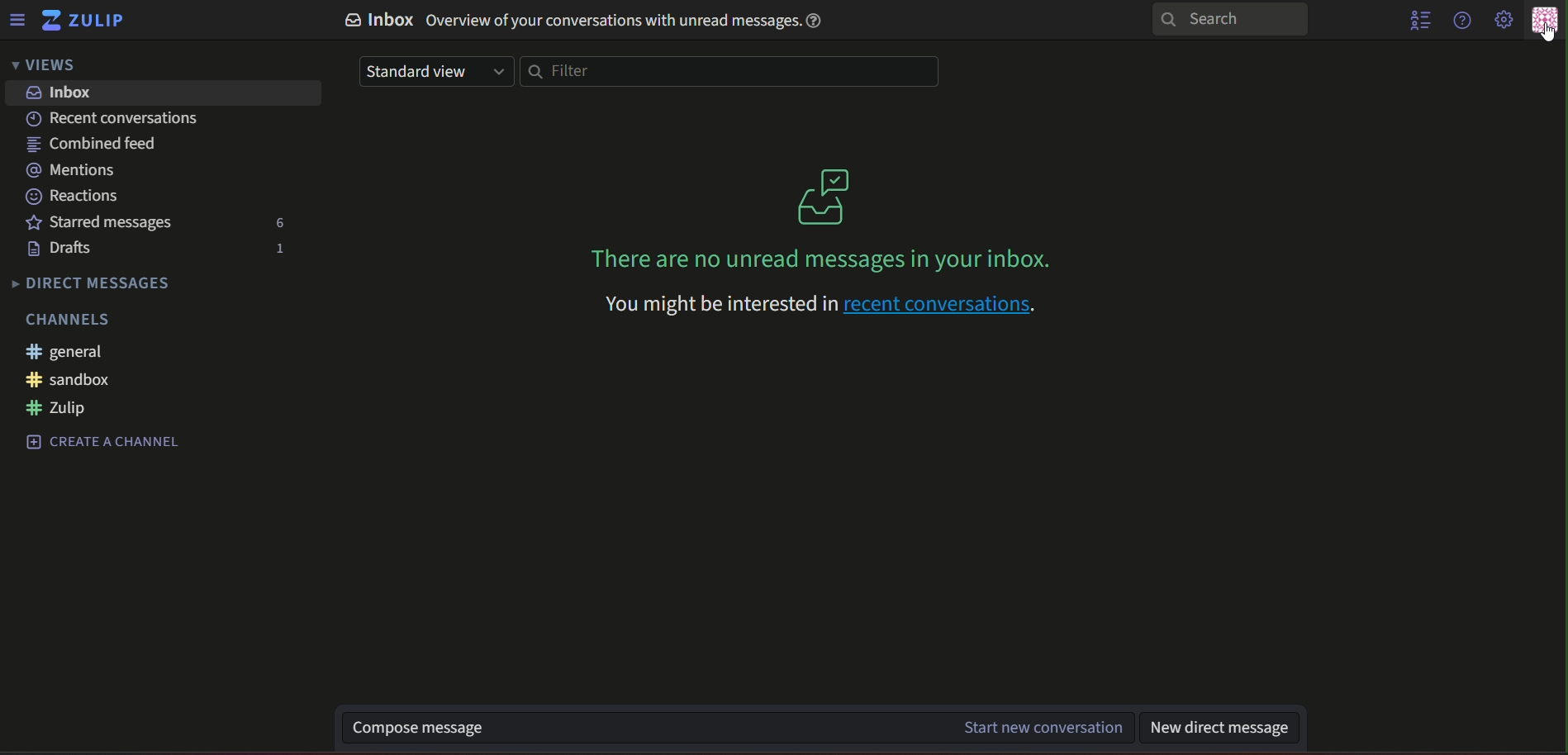 Image resolution: width=1568 pixels, height=755 pixels. I want to click on Inbox Overview of your conversation with unread messages, so click(580, 21).